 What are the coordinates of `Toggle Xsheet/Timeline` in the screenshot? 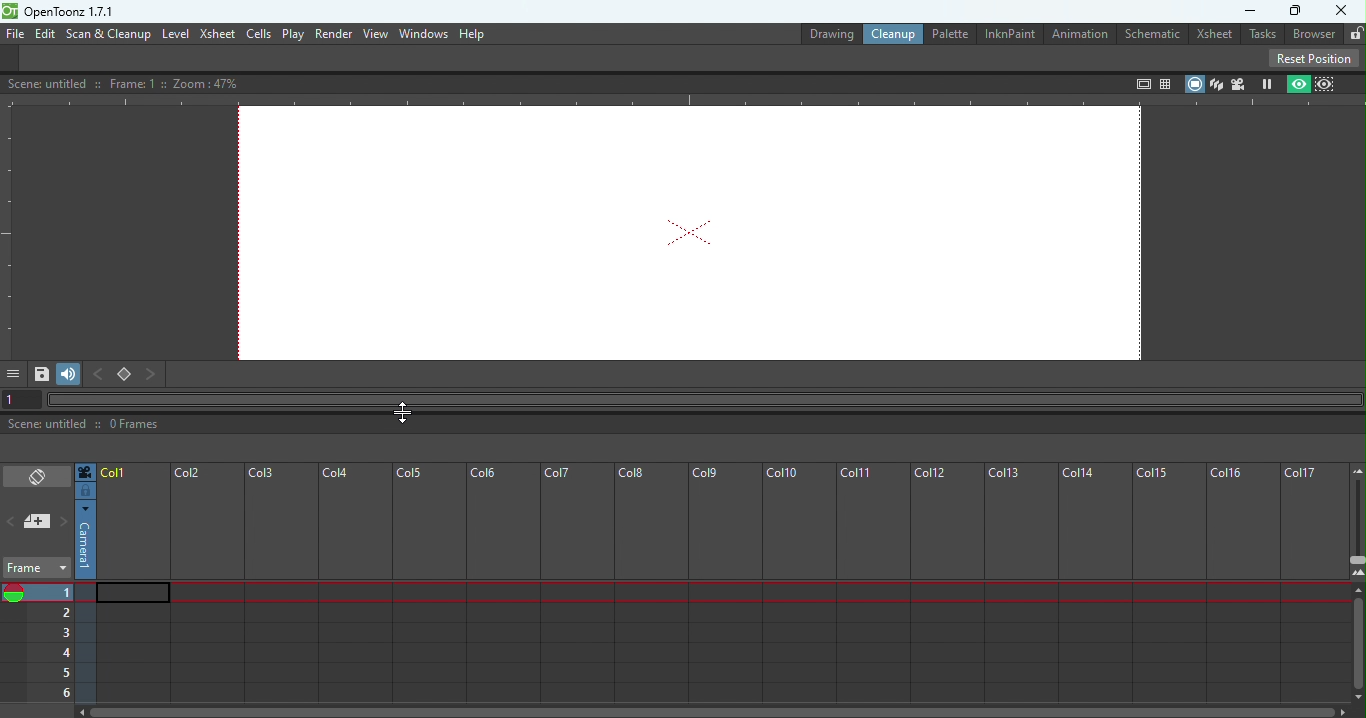 It's located at (37, 478).